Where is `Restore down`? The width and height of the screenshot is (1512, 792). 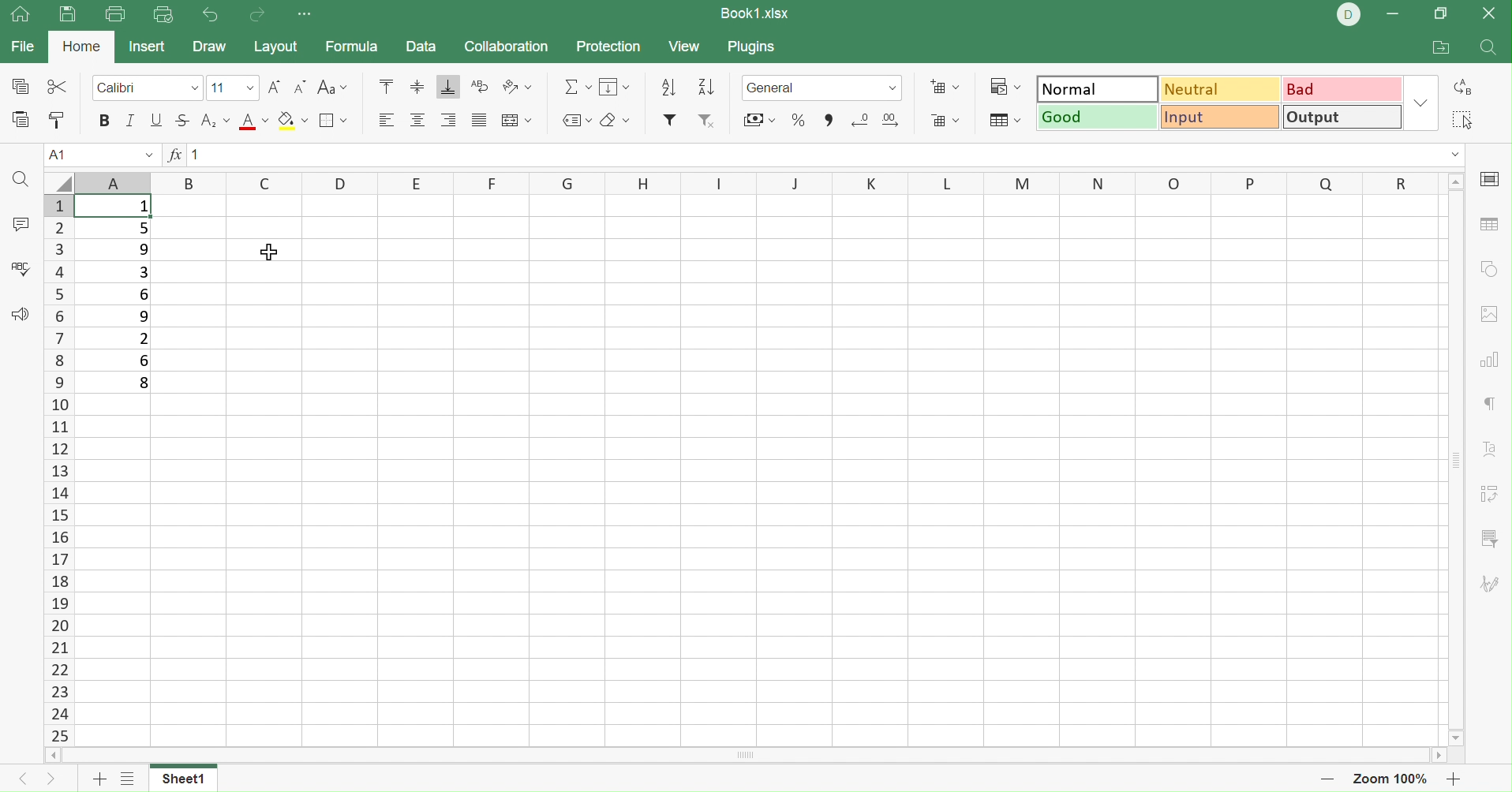 Restore down is located at coordinates (1441, 15).